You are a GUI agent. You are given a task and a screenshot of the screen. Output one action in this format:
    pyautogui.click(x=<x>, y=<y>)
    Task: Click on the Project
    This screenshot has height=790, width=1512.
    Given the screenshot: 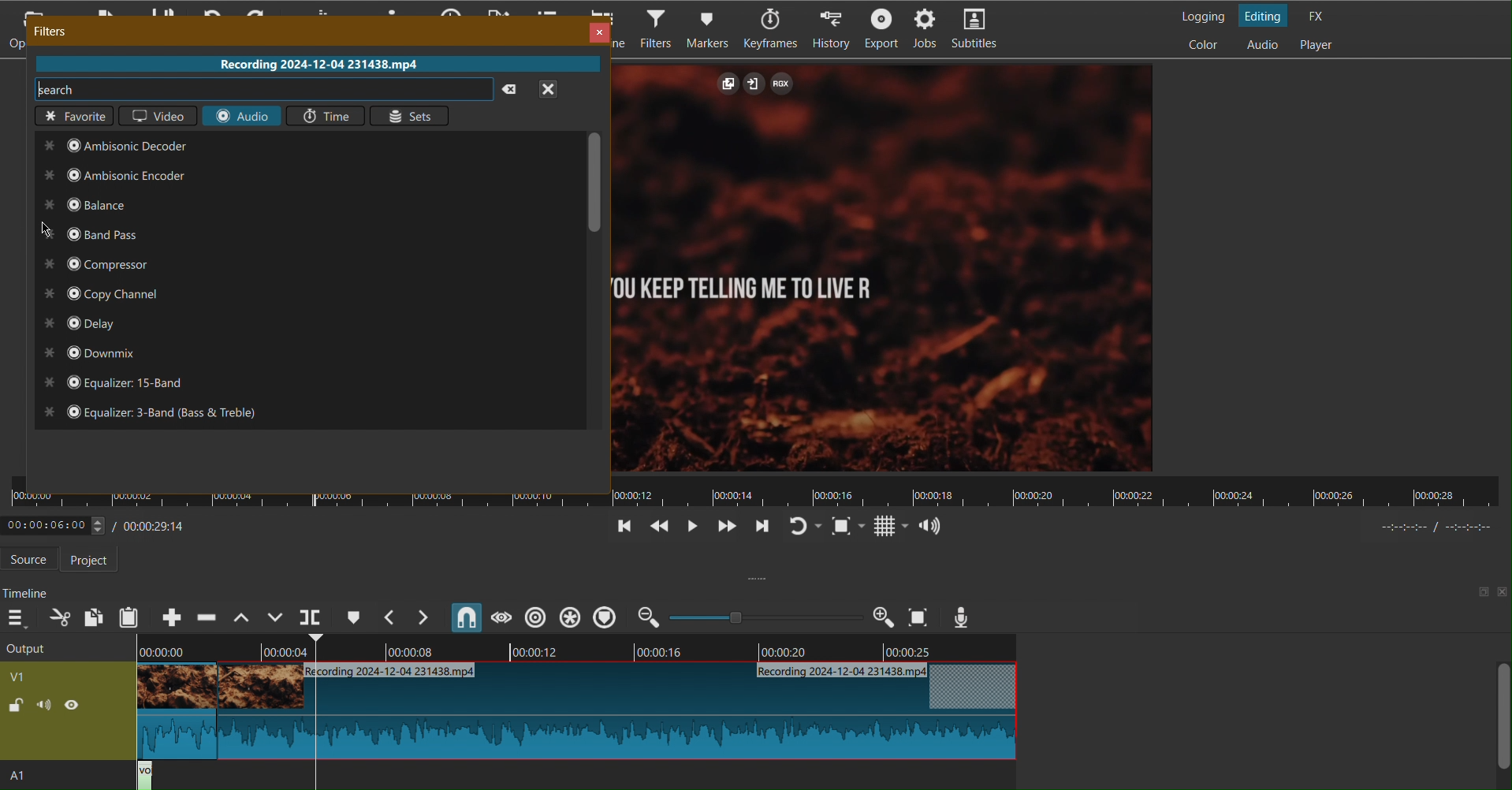 What is the action you would take?
    pyautogui.click(x=95, y=560)
    